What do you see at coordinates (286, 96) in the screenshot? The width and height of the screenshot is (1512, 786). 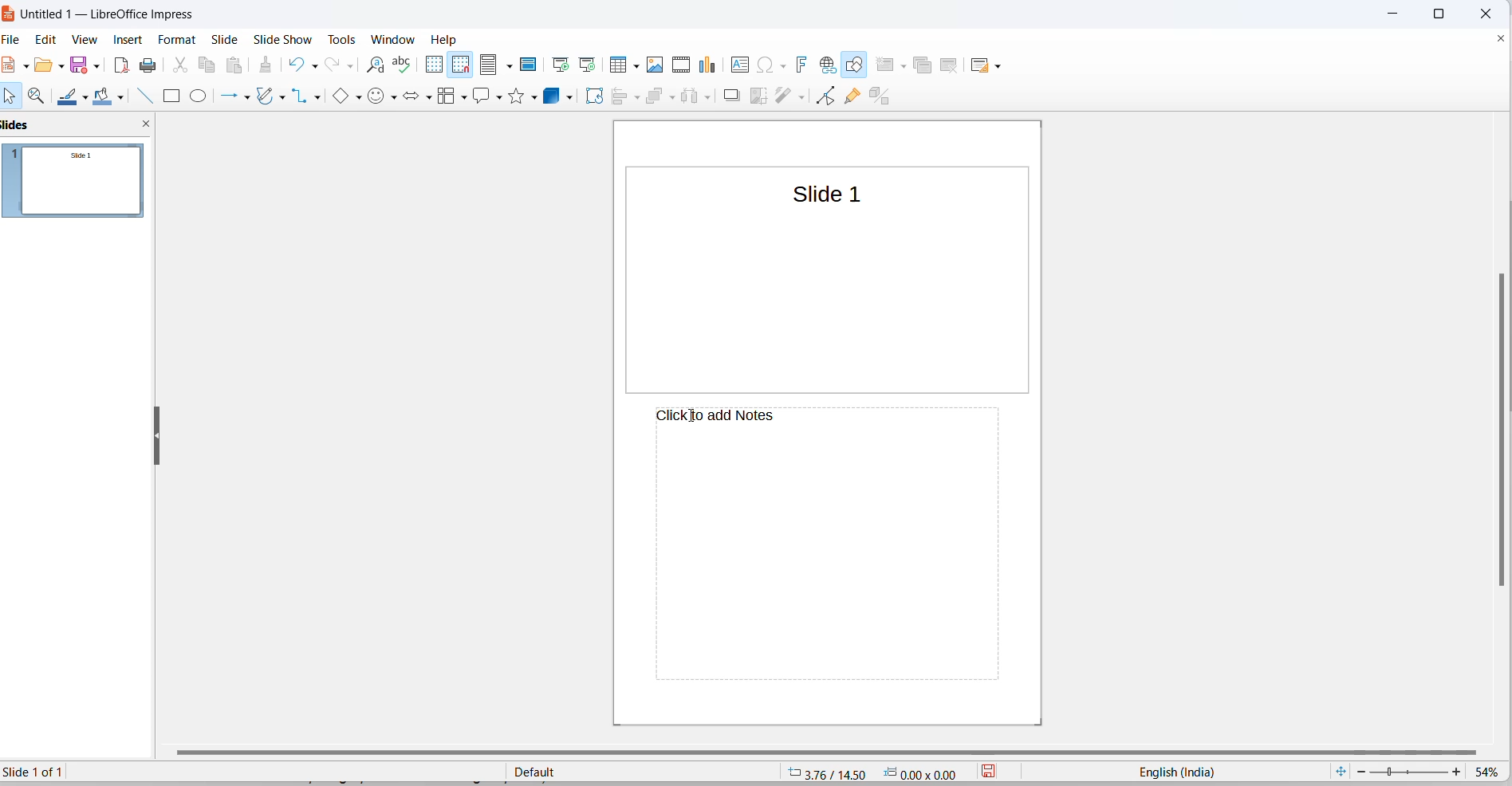 I see `curves and polygons options` at bounding box center [286, 96].